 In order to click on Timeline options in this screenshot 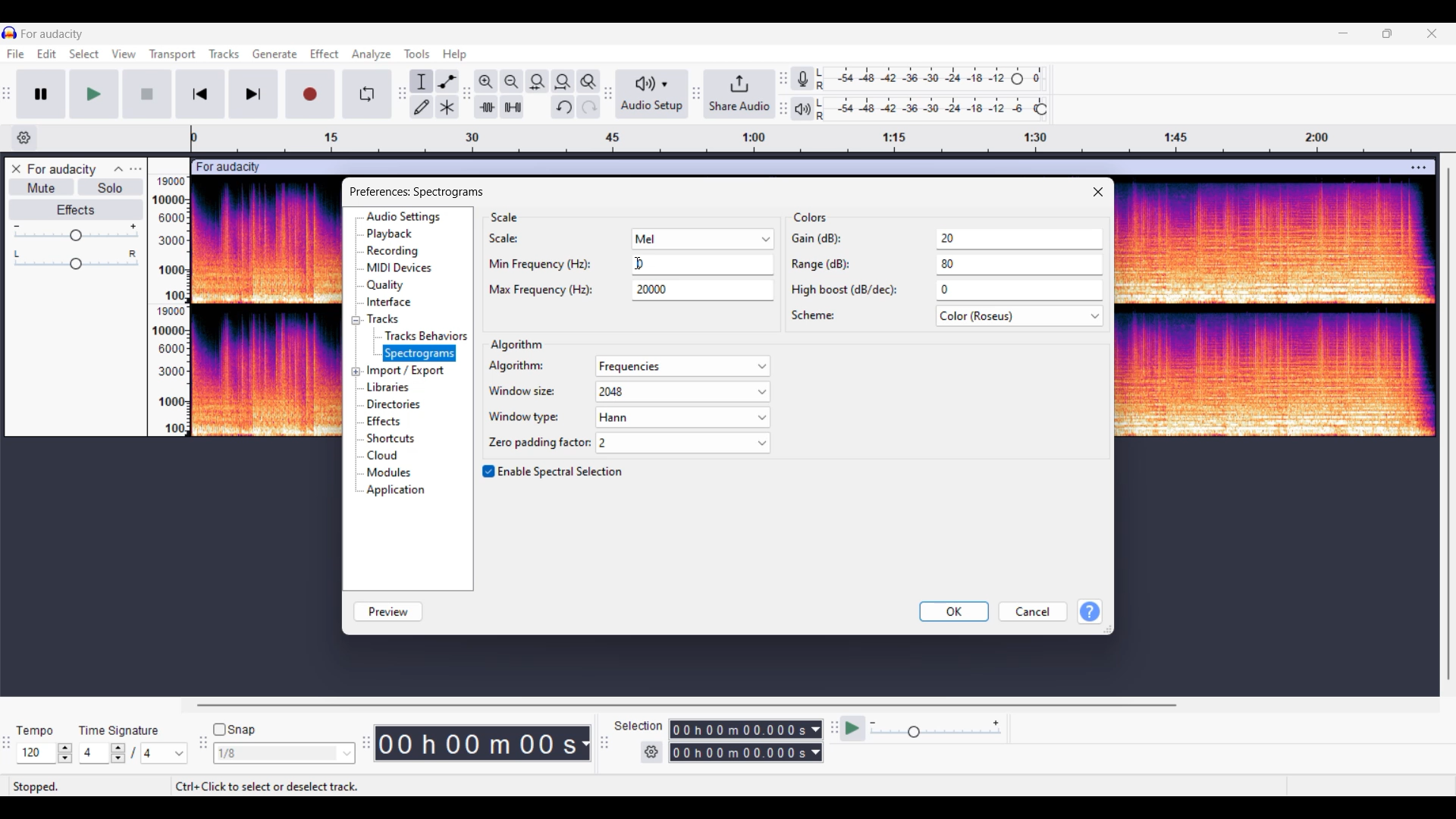, I will do `click(25, 138)`.